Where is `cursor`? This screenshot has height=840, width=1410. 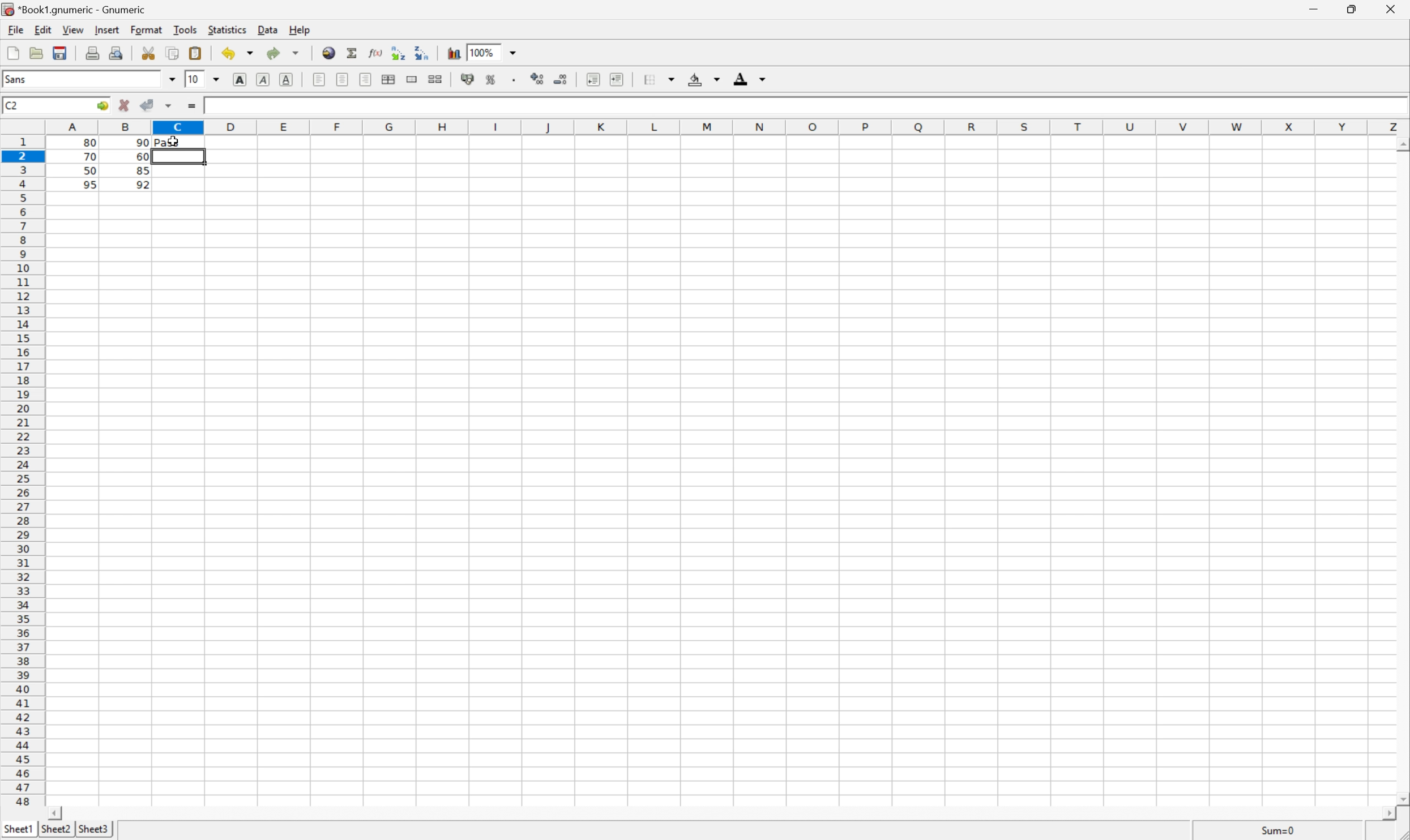
cursor is located at coordinates (174, 142).